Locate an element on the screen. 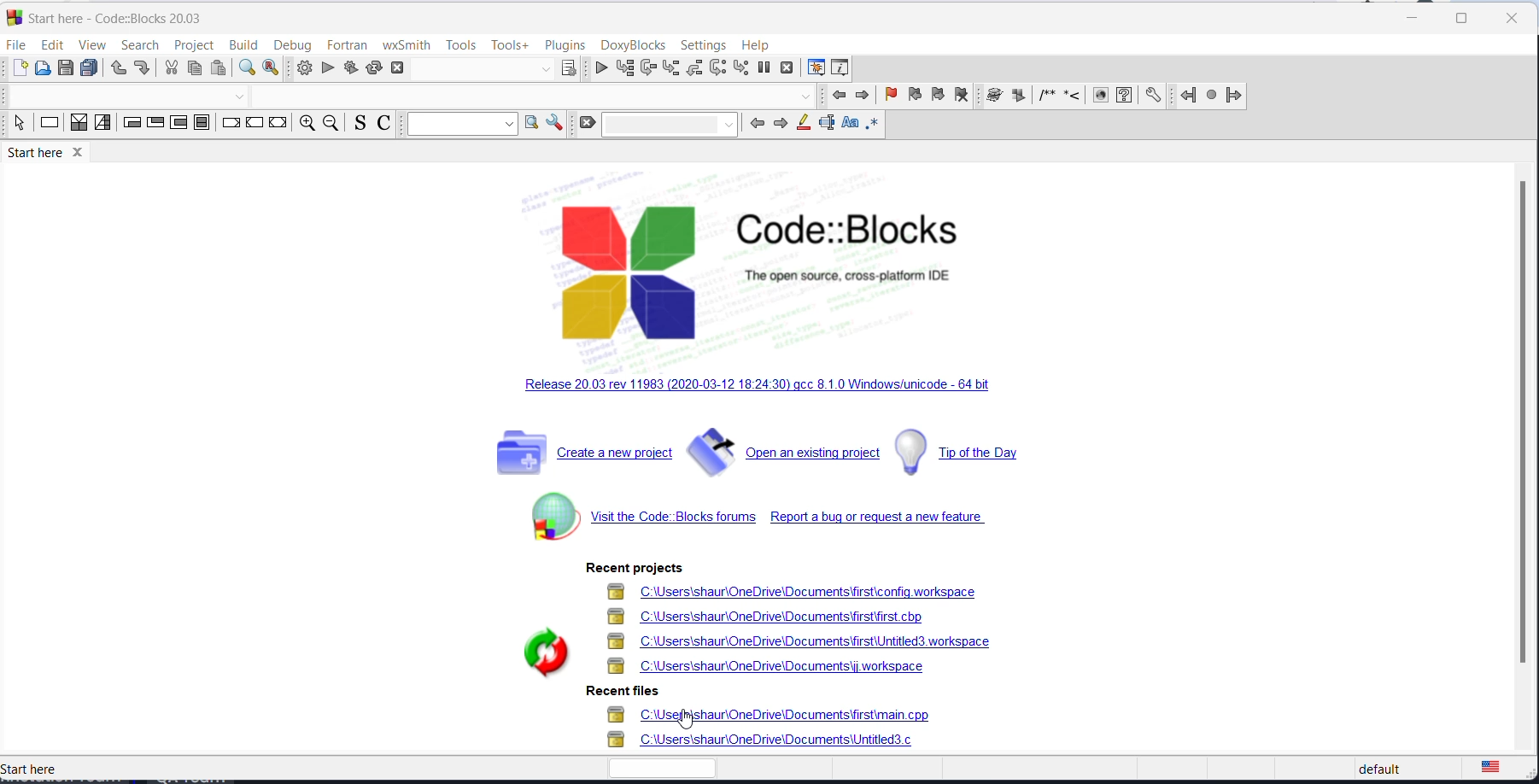  select is located at coordinates (18, 125).